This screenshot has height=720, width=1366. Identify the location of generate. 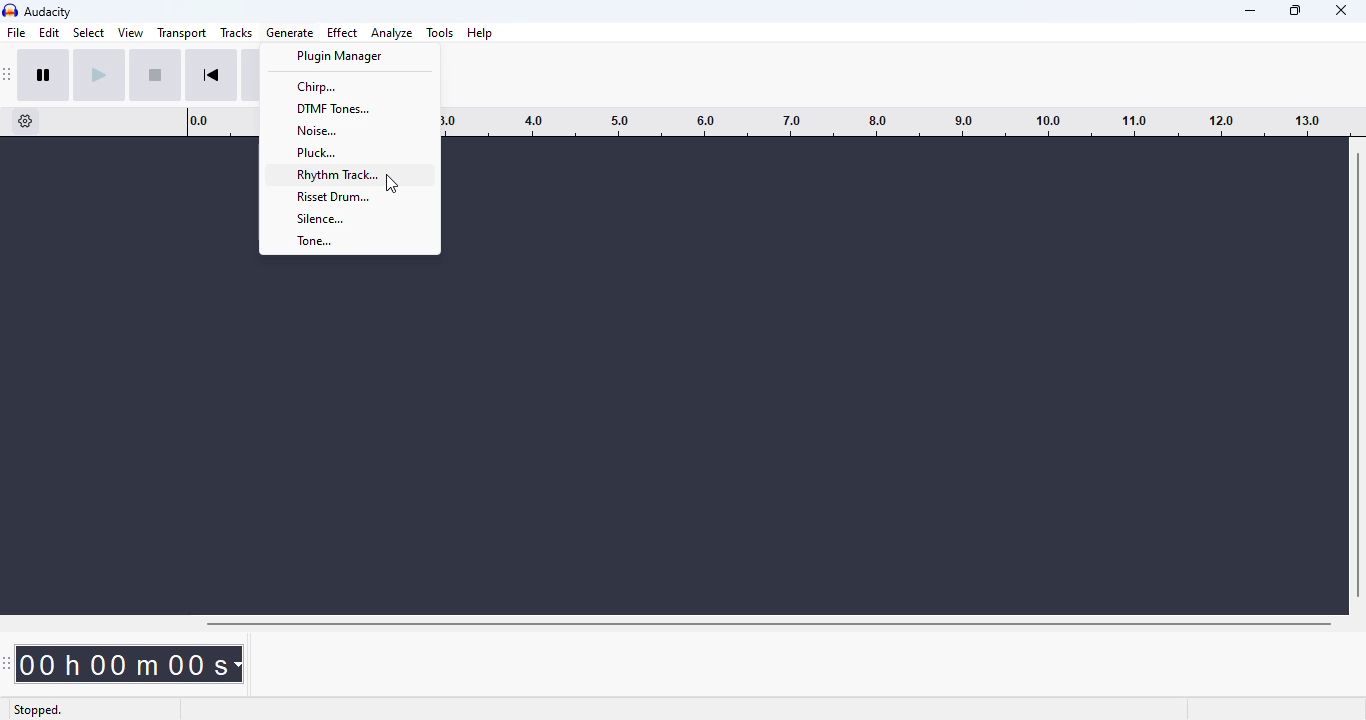
(291, 32).